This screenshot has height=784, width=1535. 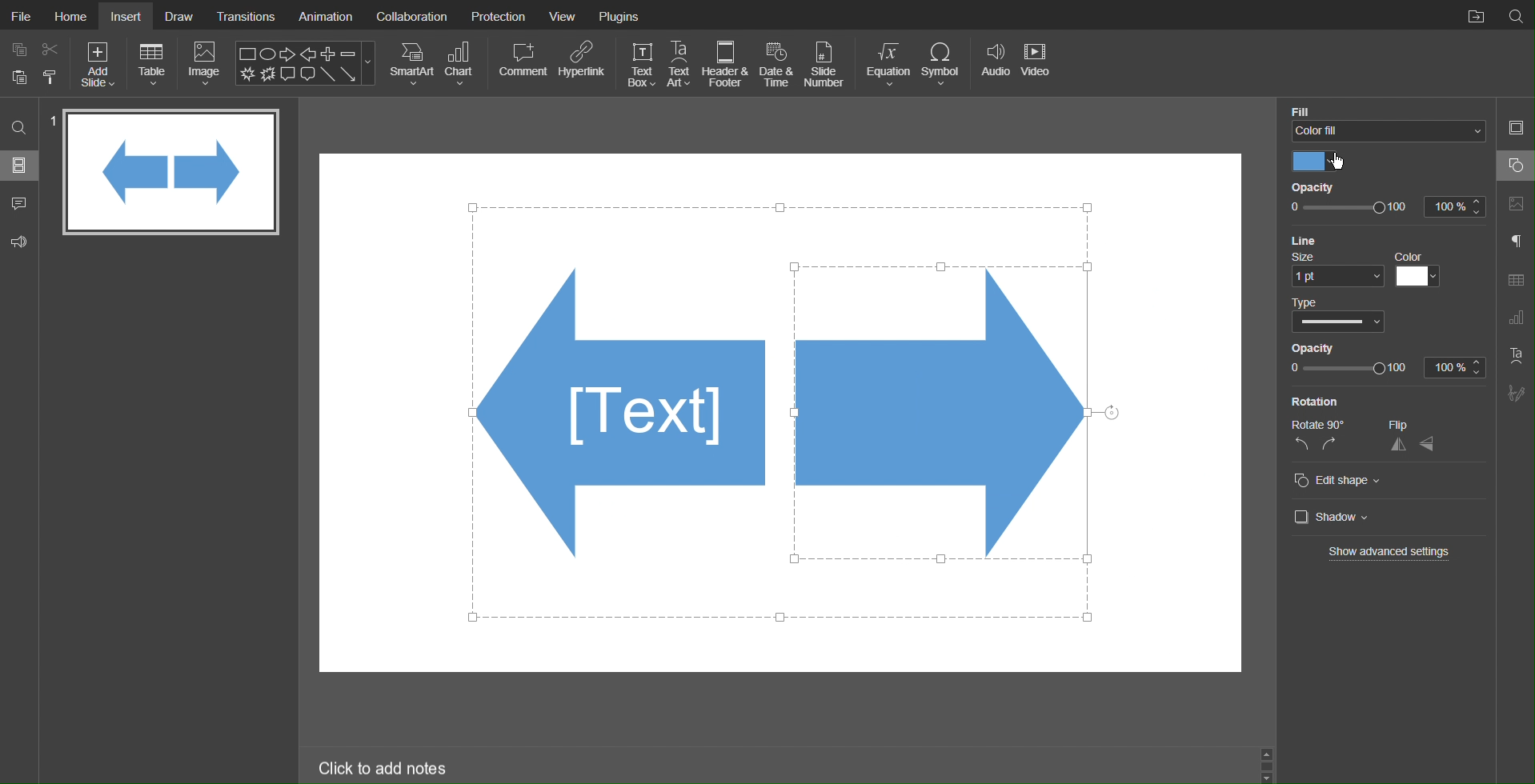 I want to click on color, so click(x=1421, y=269).